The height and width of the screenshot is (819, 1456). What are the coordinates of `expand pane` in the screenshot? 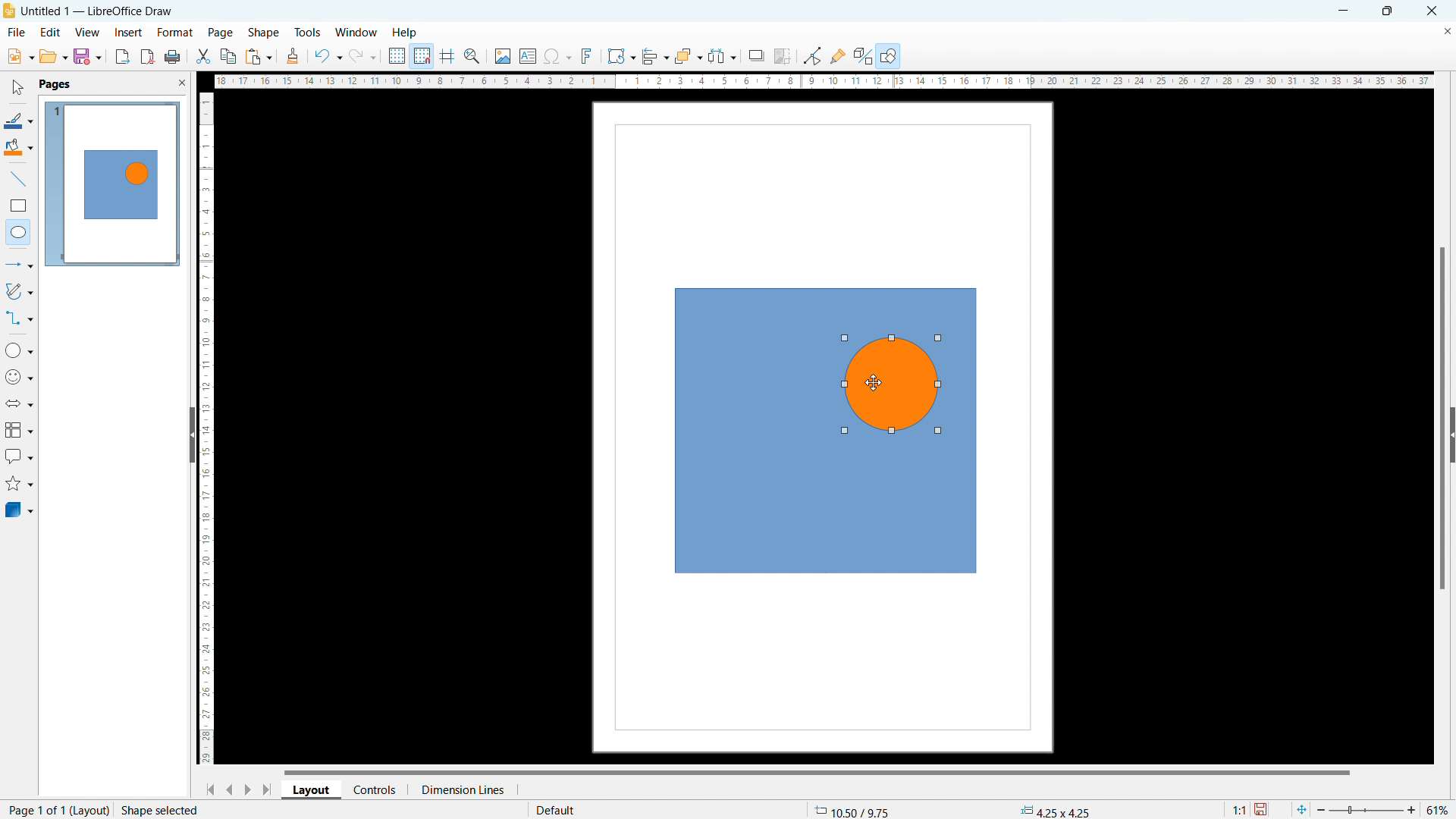 It's located at (1451, 435).